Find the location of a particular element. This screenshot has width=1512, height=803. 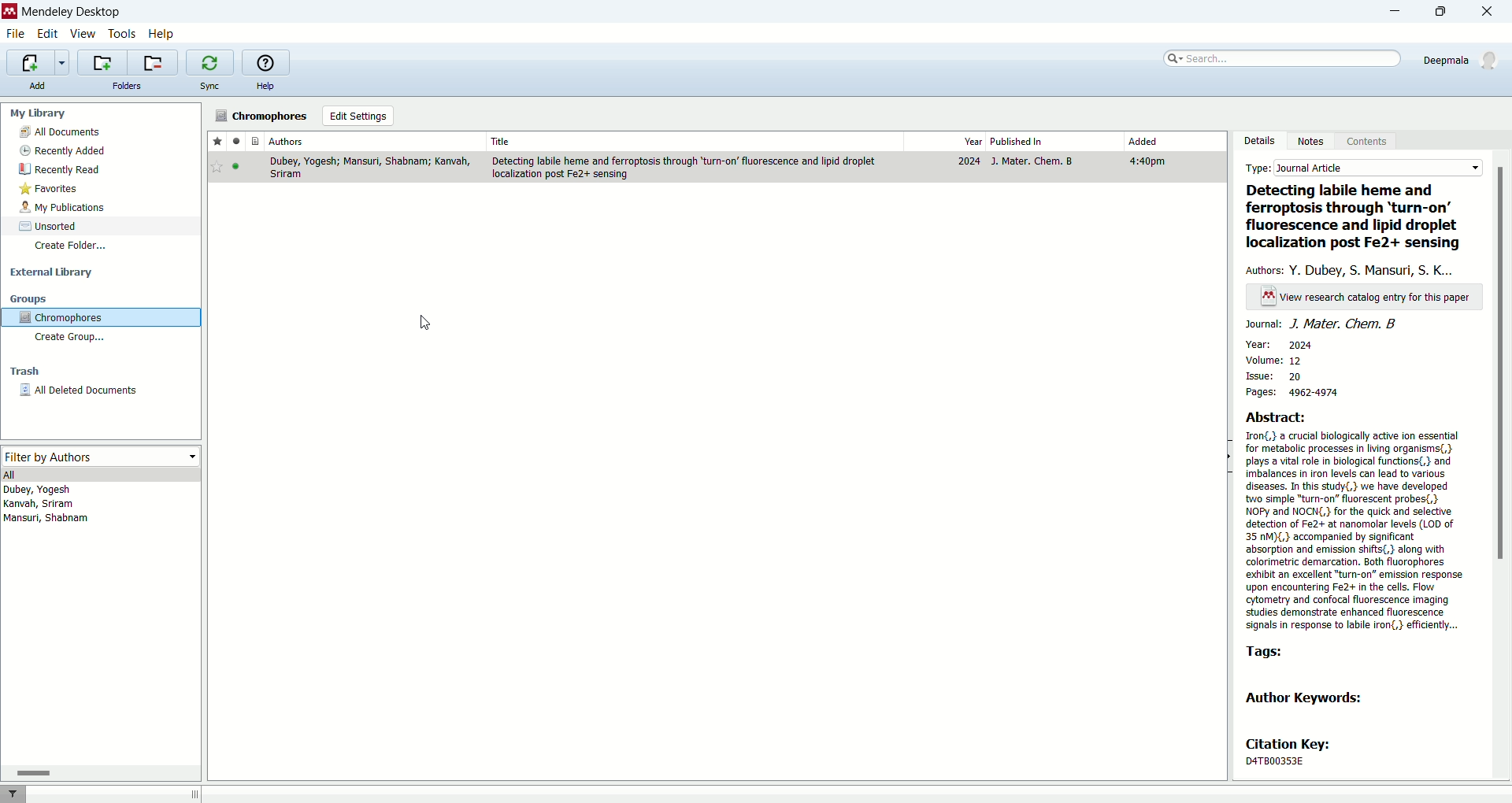

text is located at coordinates (1366, 298).